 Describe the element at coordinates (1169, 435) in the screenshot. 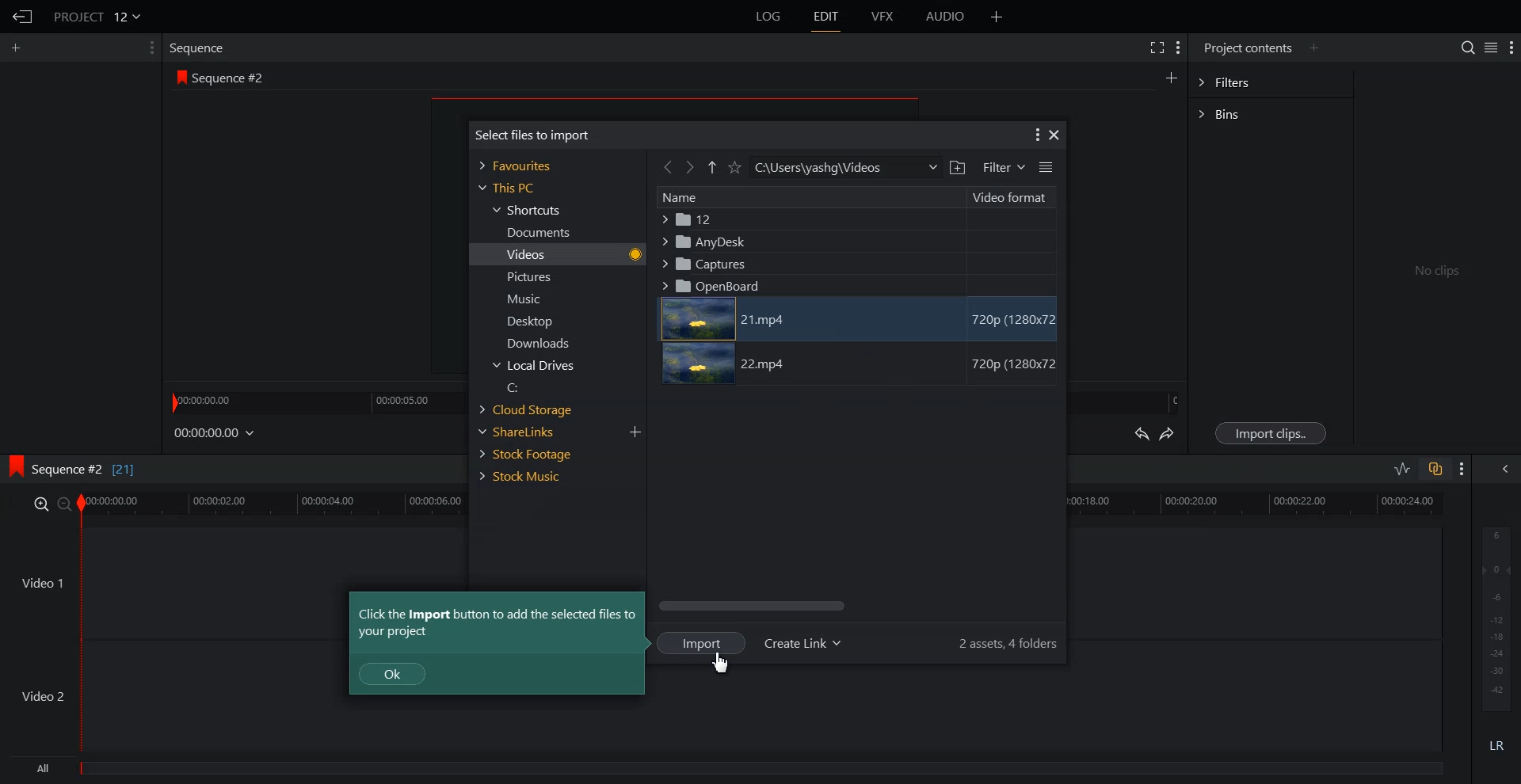

I see `Redo` at that location.